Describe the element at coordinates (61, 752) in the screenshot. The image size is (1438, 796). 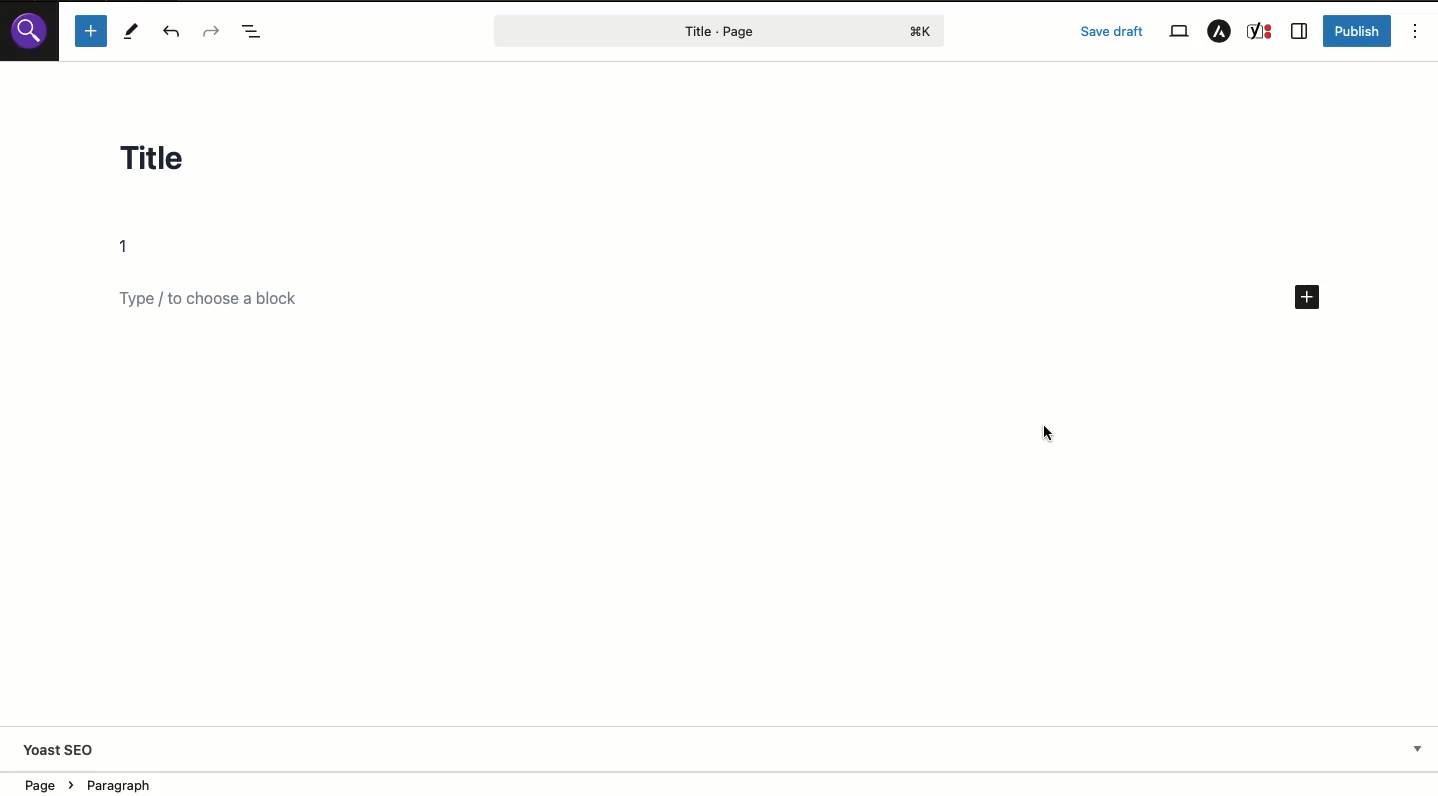
I see `Yoast SEO` at that location.